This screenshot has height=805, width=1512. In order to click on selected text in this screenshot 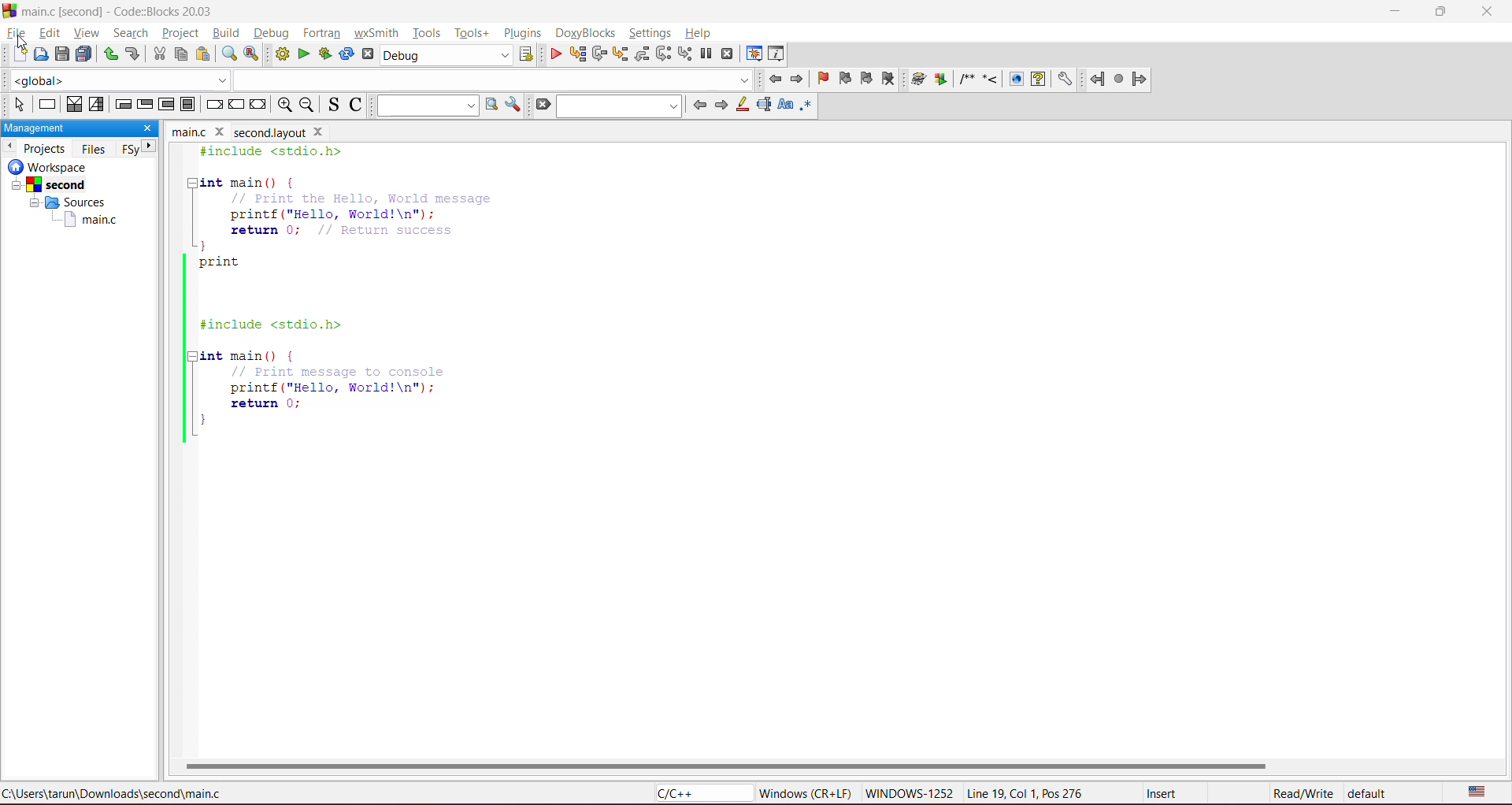, I will do `click(765, 106)`.